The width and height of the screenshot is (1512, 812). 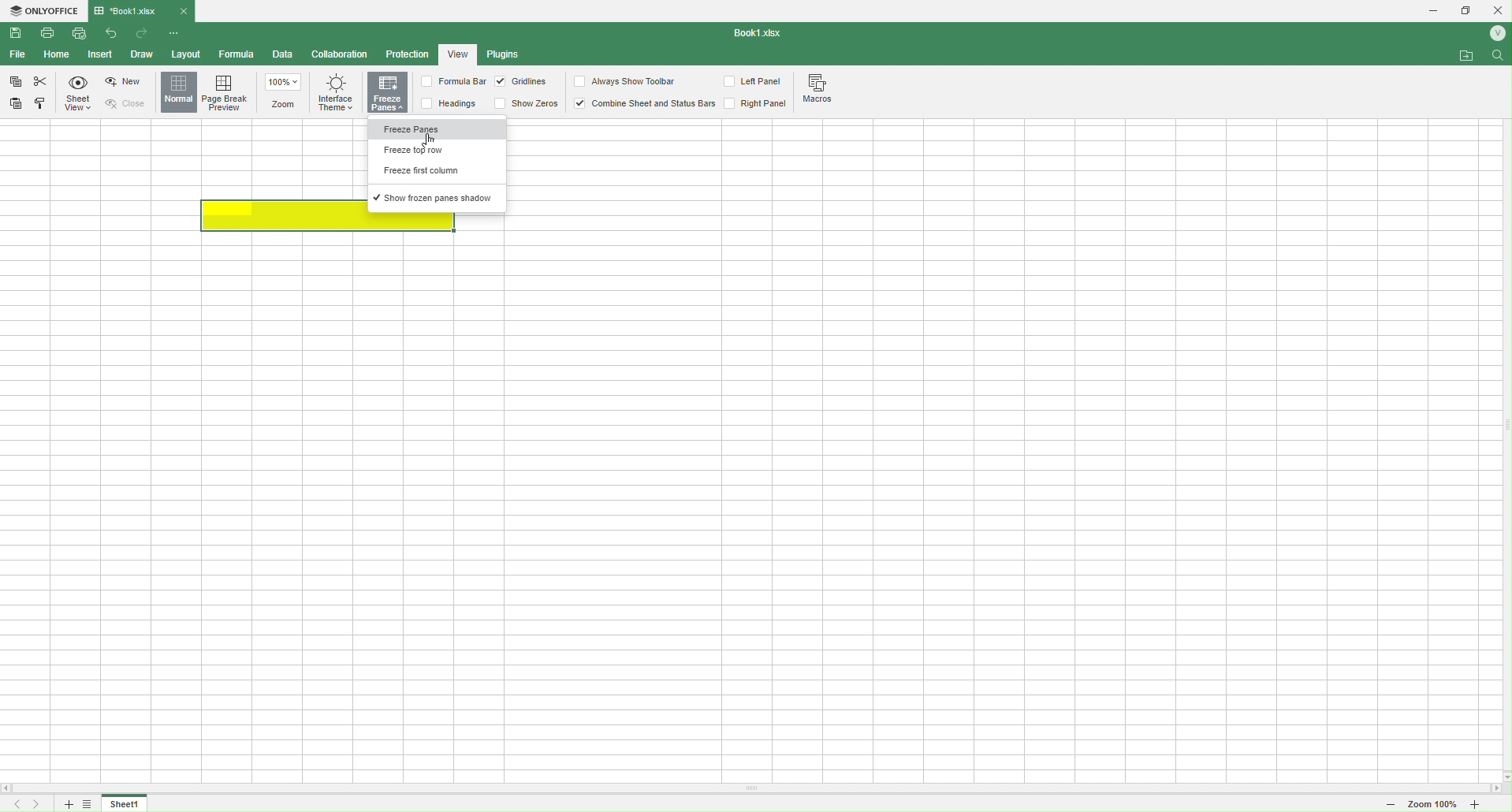 I want to click on Cut, so click(x=40, y=81).